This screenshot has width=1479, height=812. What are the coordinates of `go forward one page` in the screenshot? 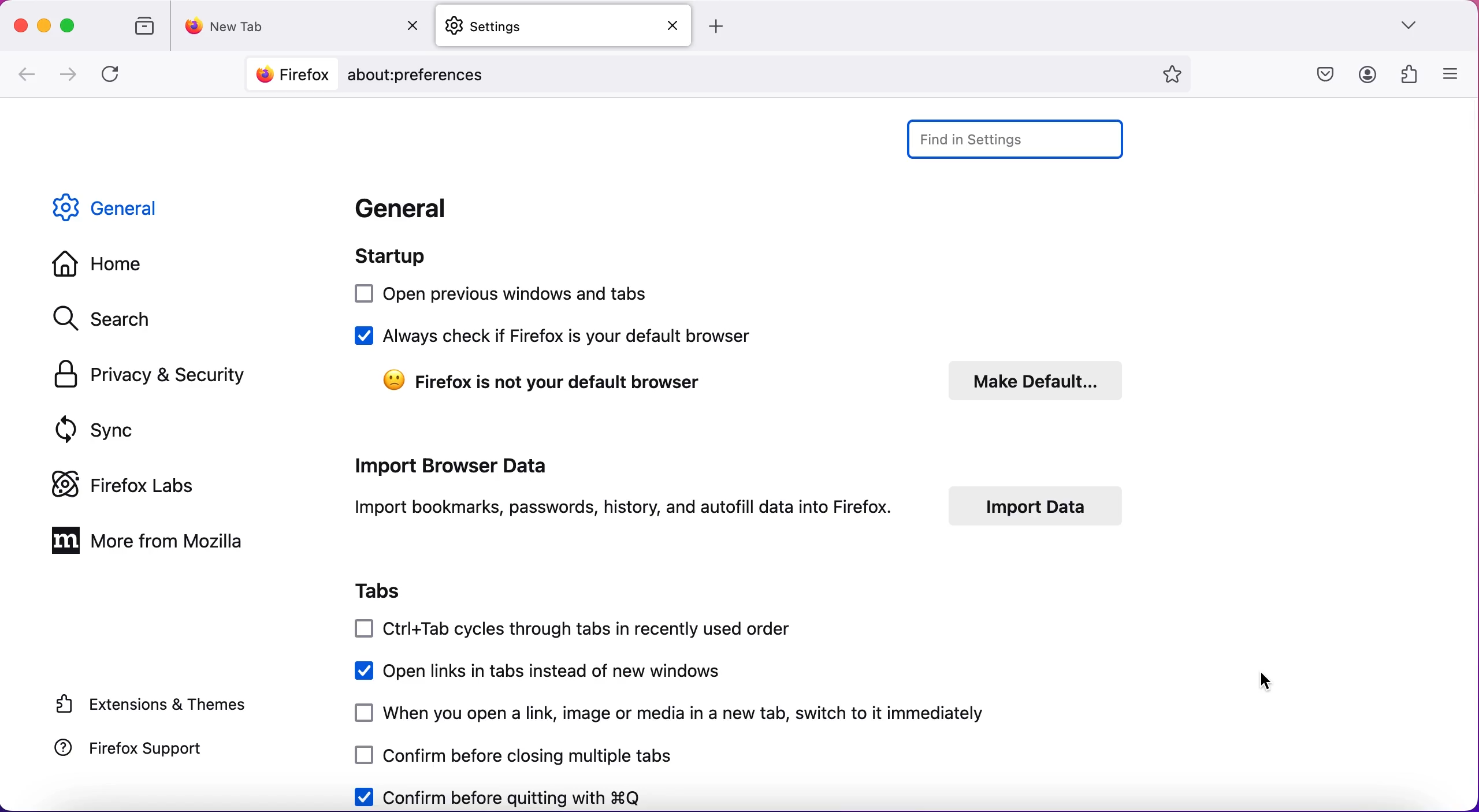 It's located at (70, 76).